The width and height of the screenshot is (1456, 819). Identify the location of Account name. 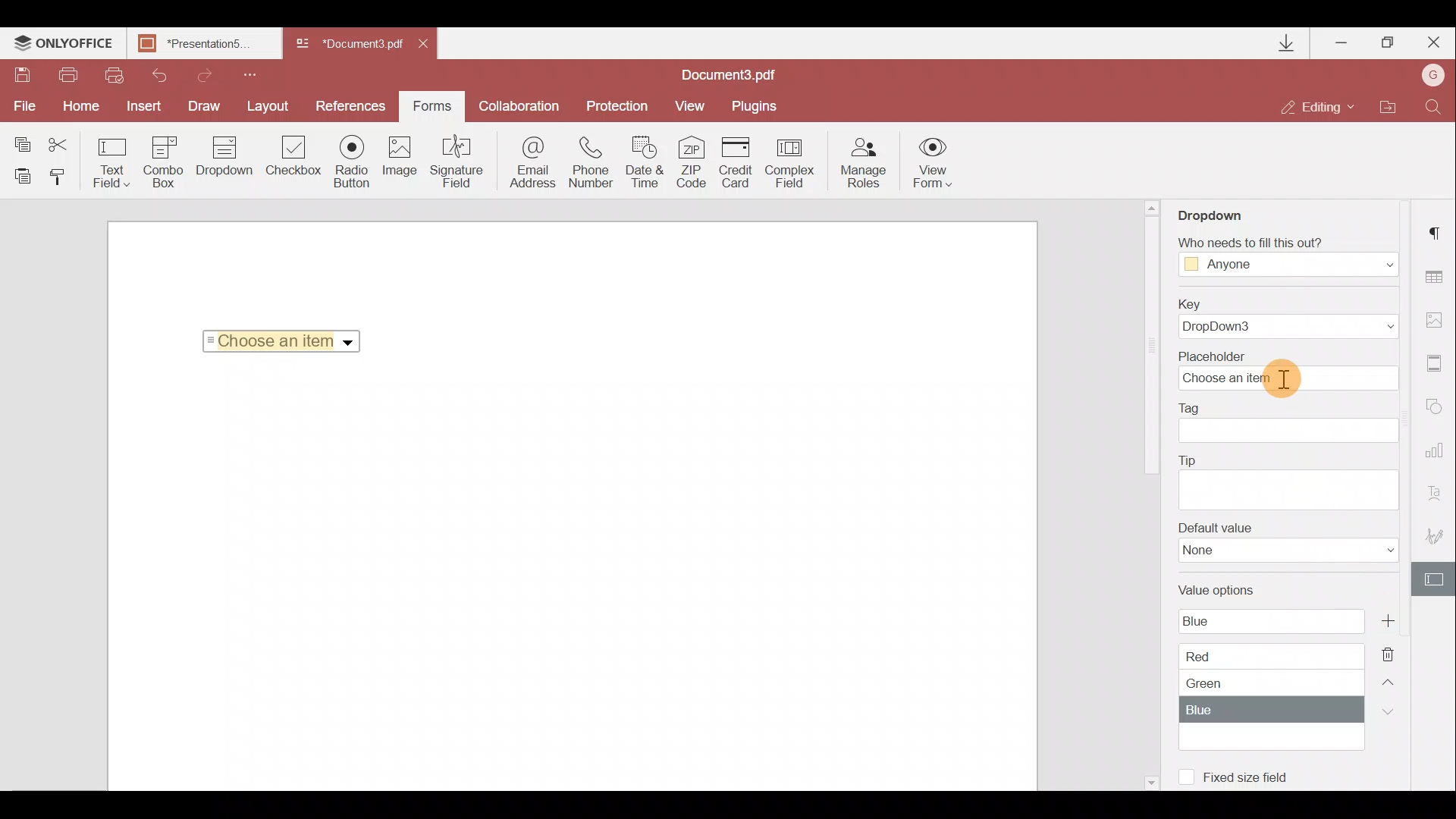
(1433, 74).